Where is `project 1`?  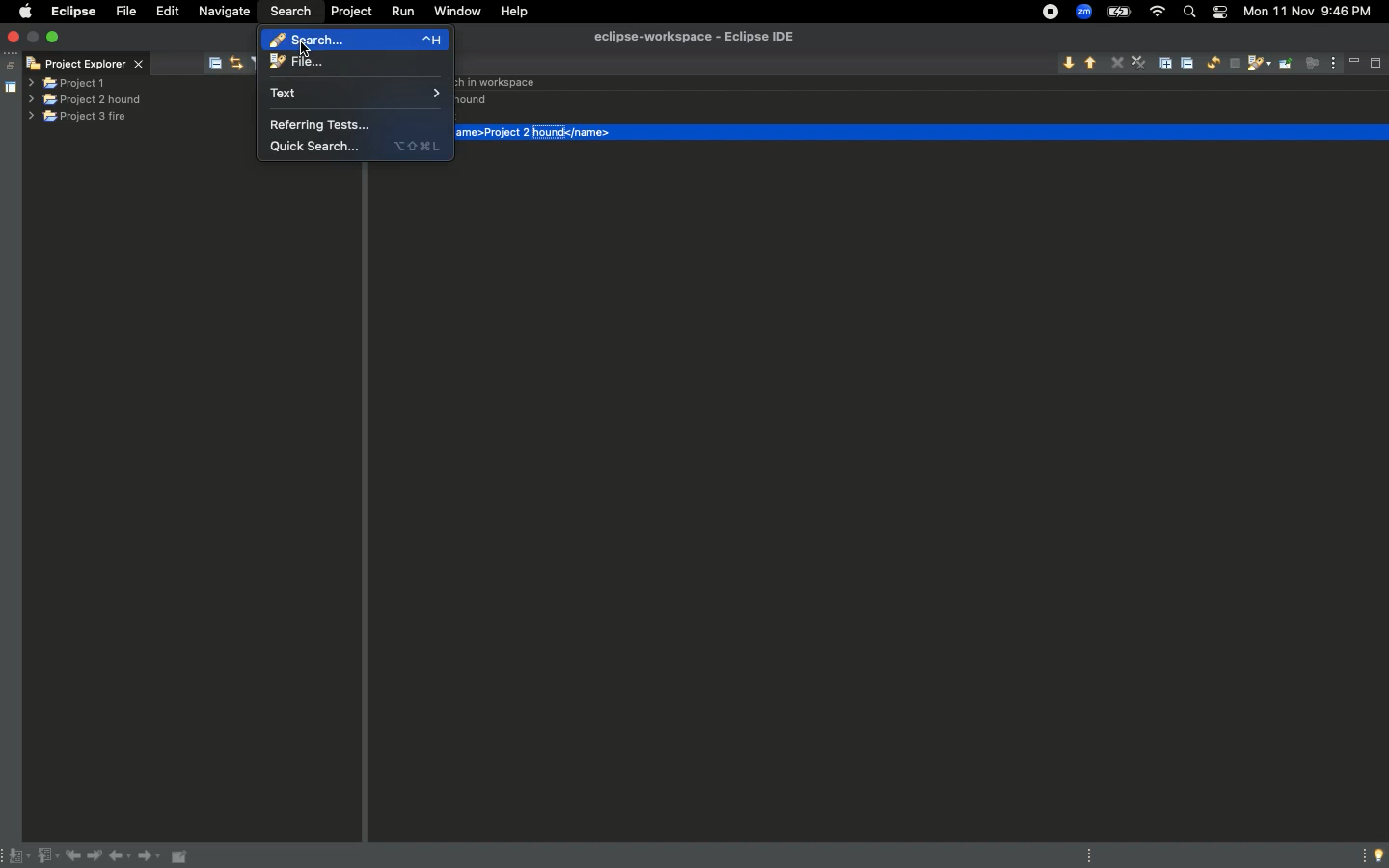 project 1 is located at coordinates (81, 81).